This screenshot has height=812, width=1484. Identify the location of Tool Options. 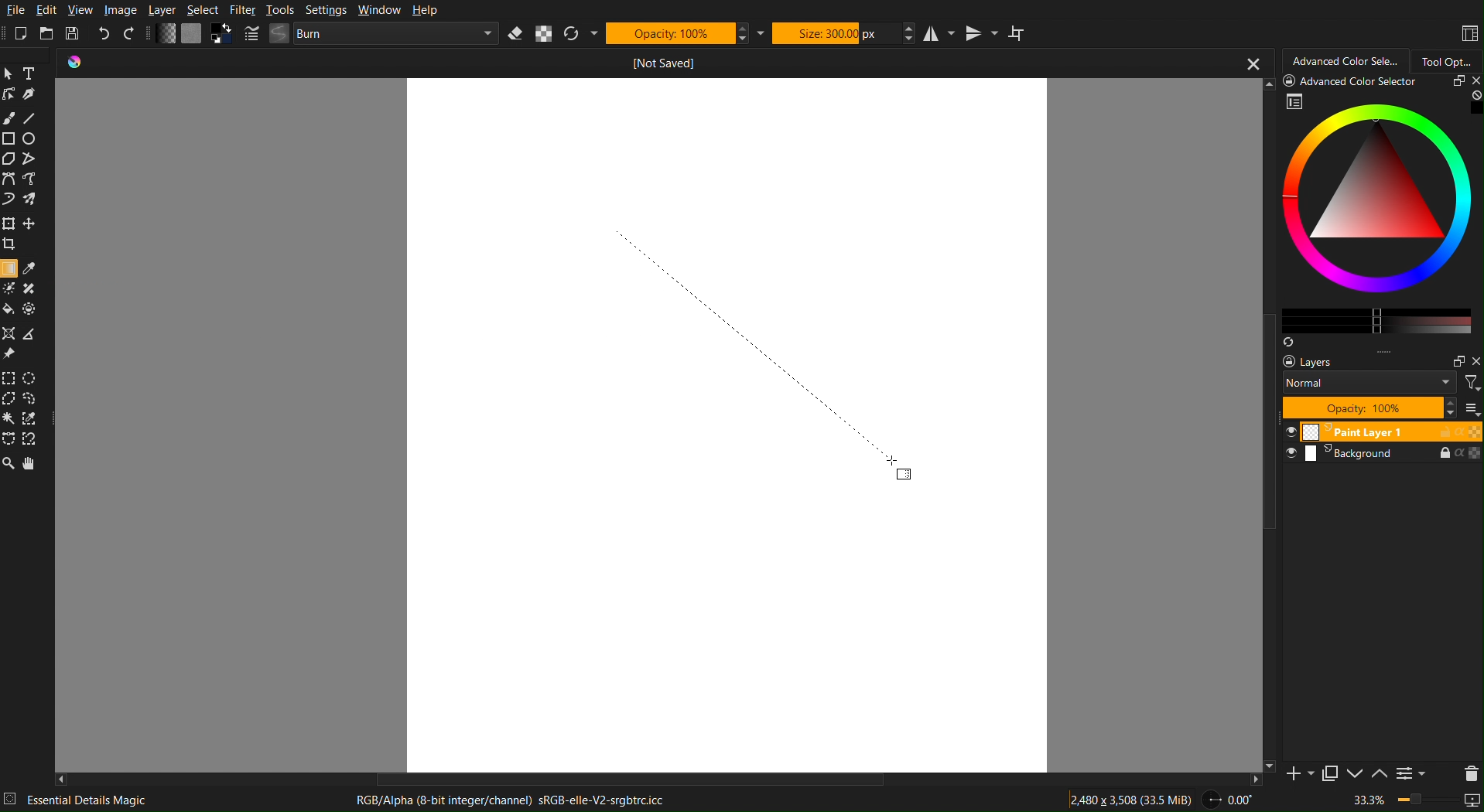
(1448, 59).